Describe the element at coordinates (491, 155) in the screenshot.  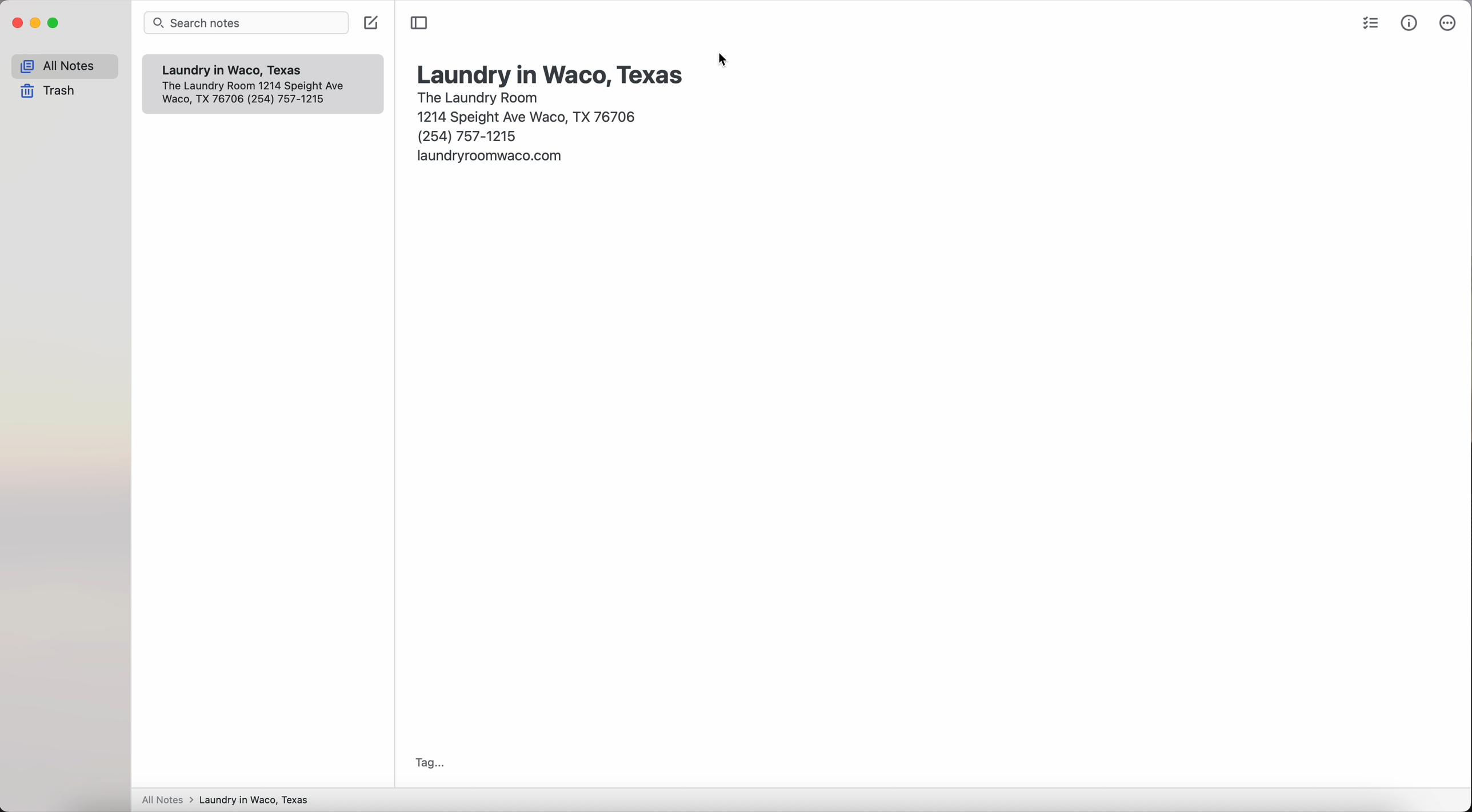
I see `laundryroomwaco.com` at that location.